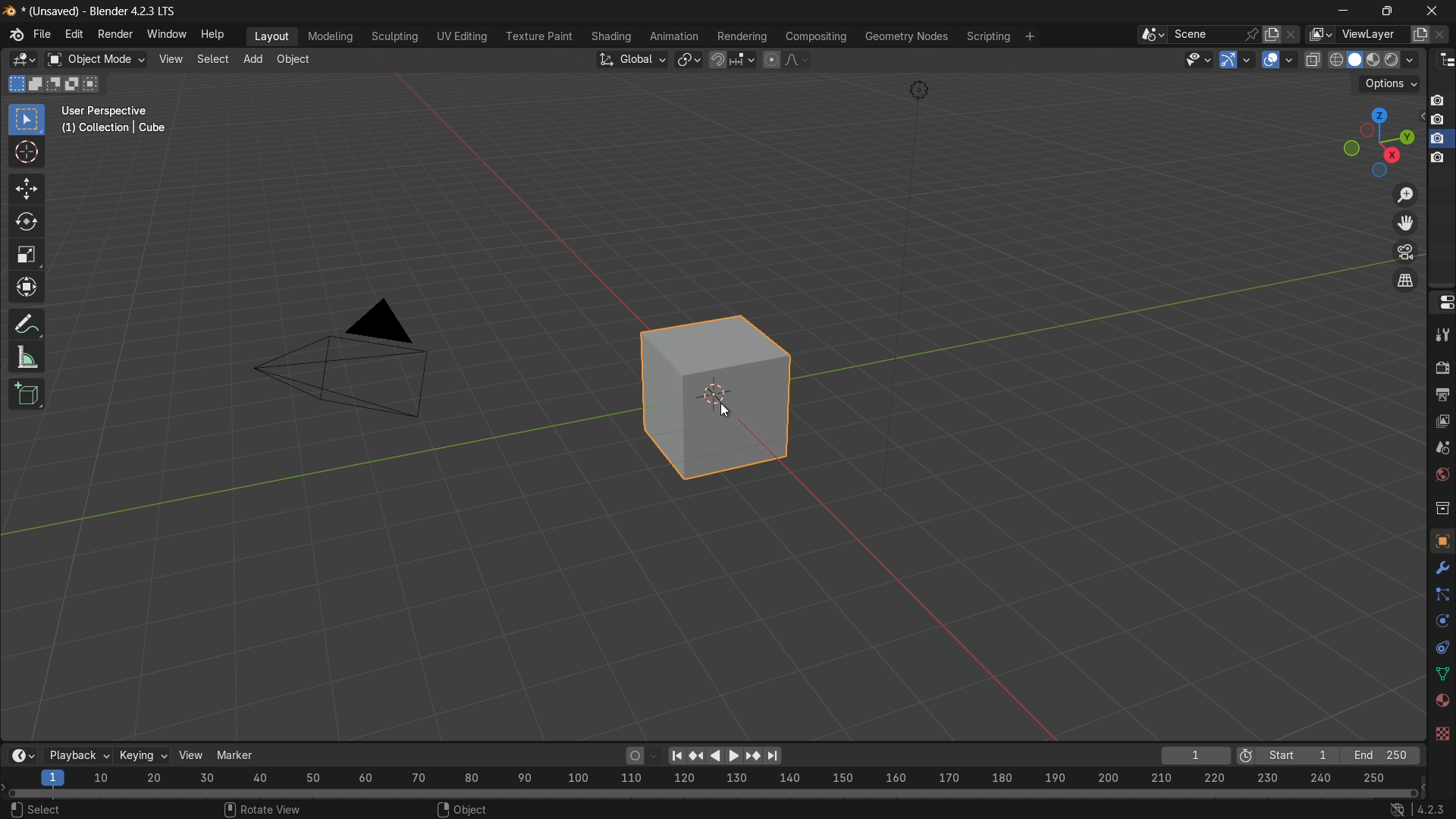 This screenshot has height=819, width=1456. Describe the element at coordinates (733, 60) in the screenshot. I see `snap` at that location.